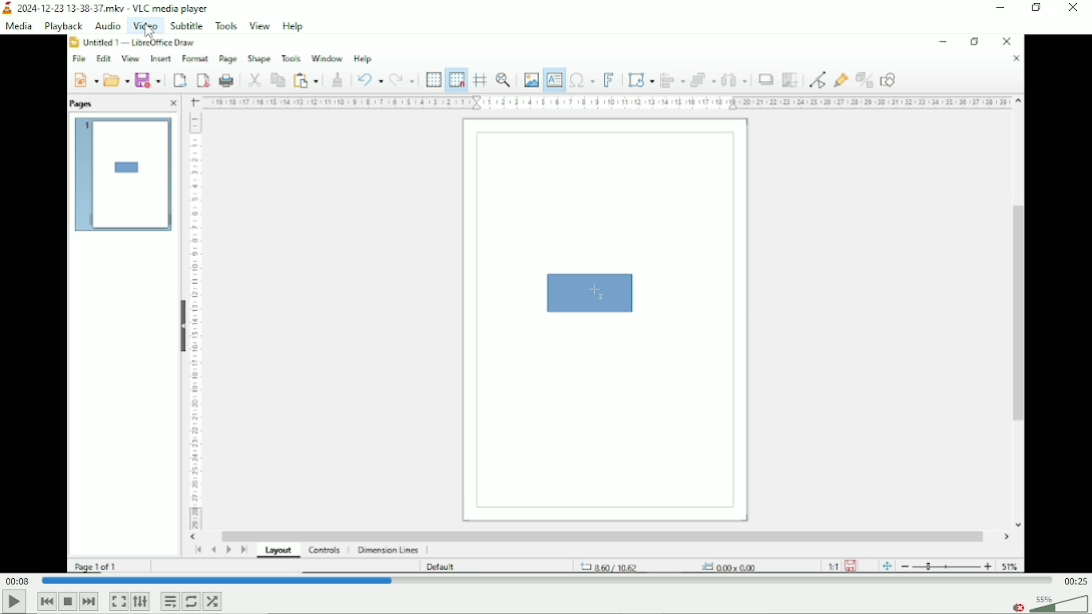 This screenshot has height=614, width=1092. Describe the element at coordinates (1038, 8) in the screenshot. I see `Restore down` at that location.